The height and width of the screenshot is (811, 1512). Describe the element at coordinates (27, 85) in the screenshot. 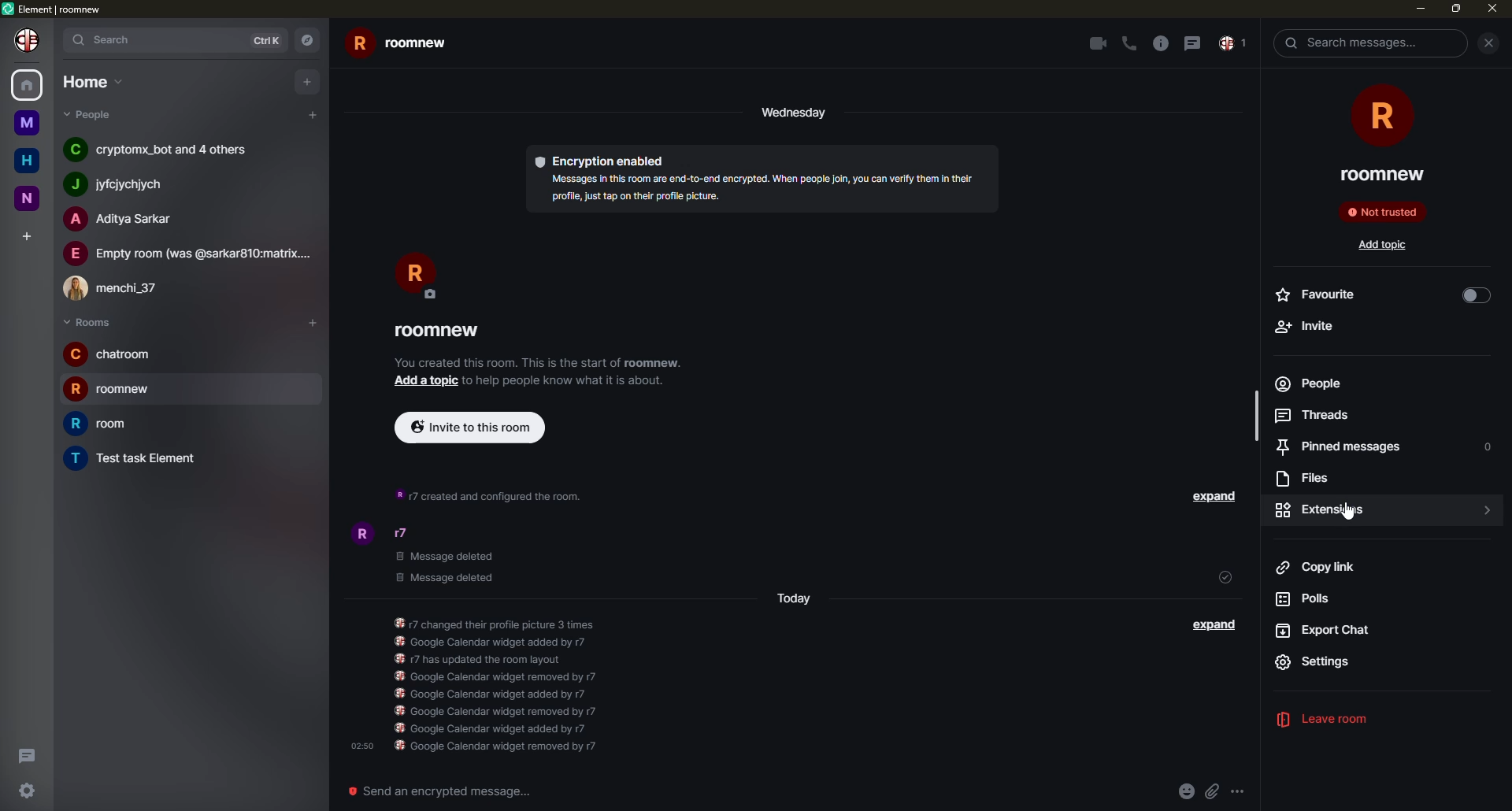

I see `home` at that location.